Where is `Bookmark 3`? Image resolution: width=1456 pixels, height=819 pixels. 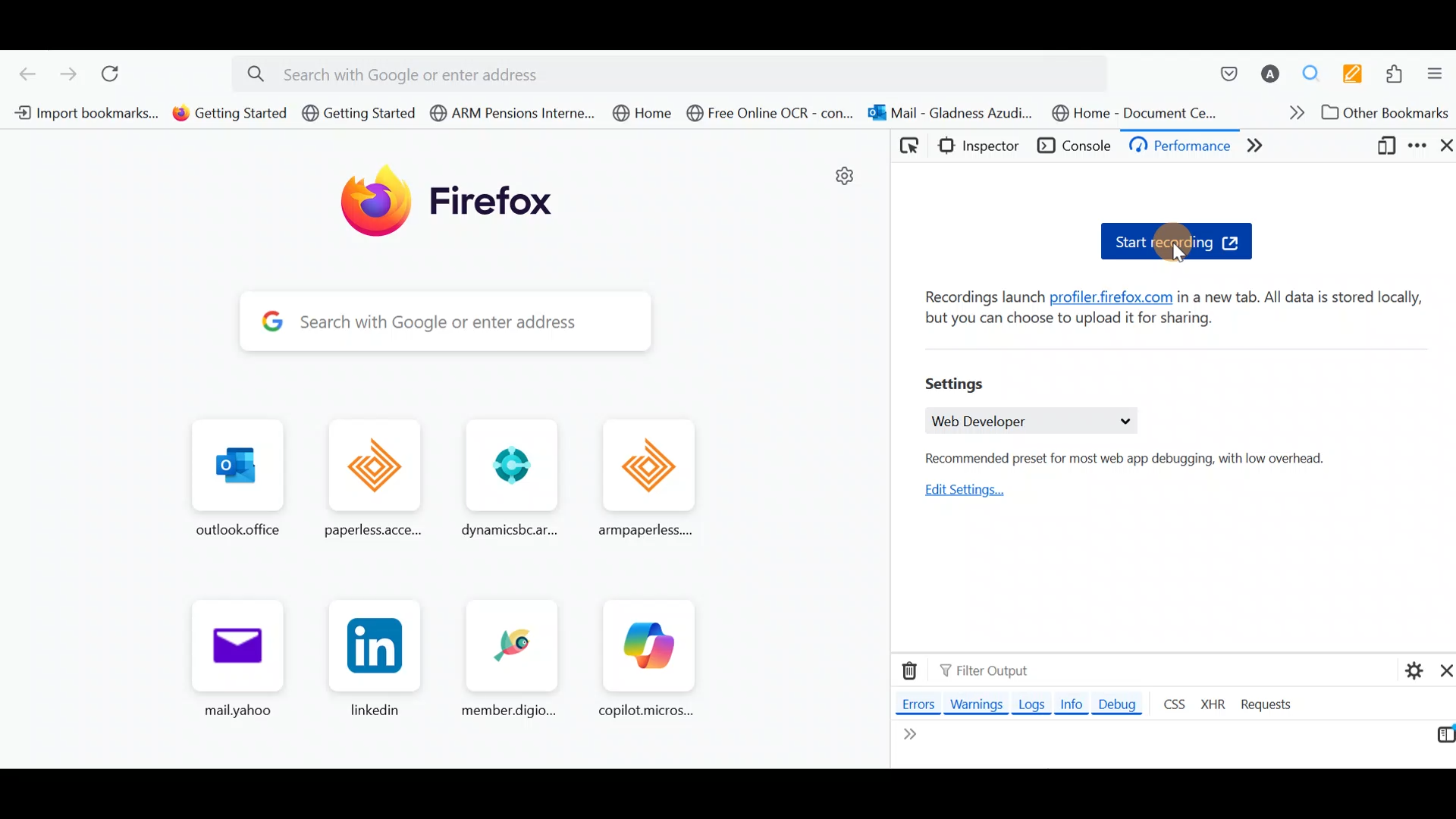 Bookmark 3 is located at coordinates (359, 113).